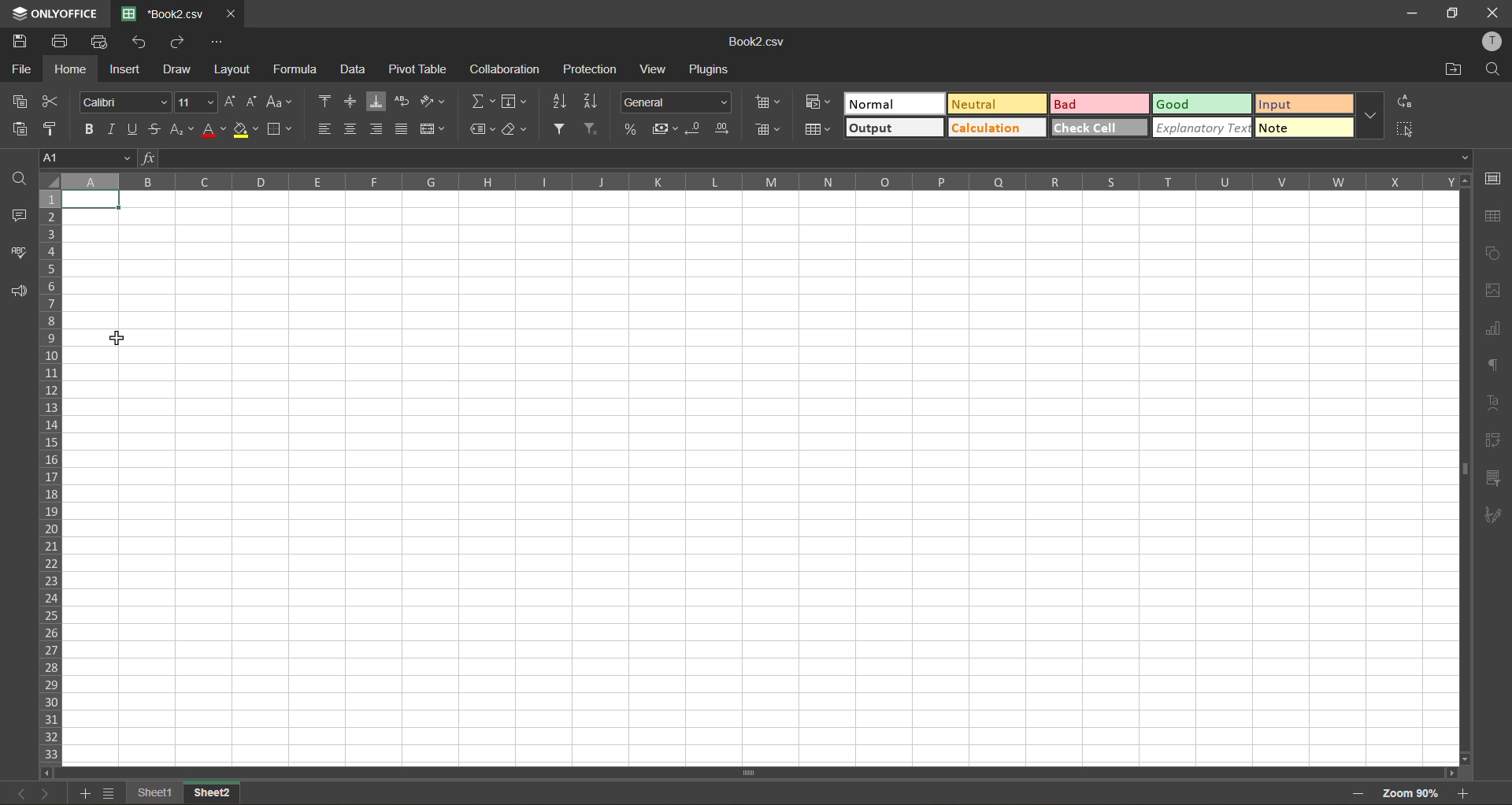 Image resolution: width=1512 pixels, height=805 pixels. What do you see at coordinates (351, 128) in the screenshot?
I see `align center` at bounding box center [351, 128].